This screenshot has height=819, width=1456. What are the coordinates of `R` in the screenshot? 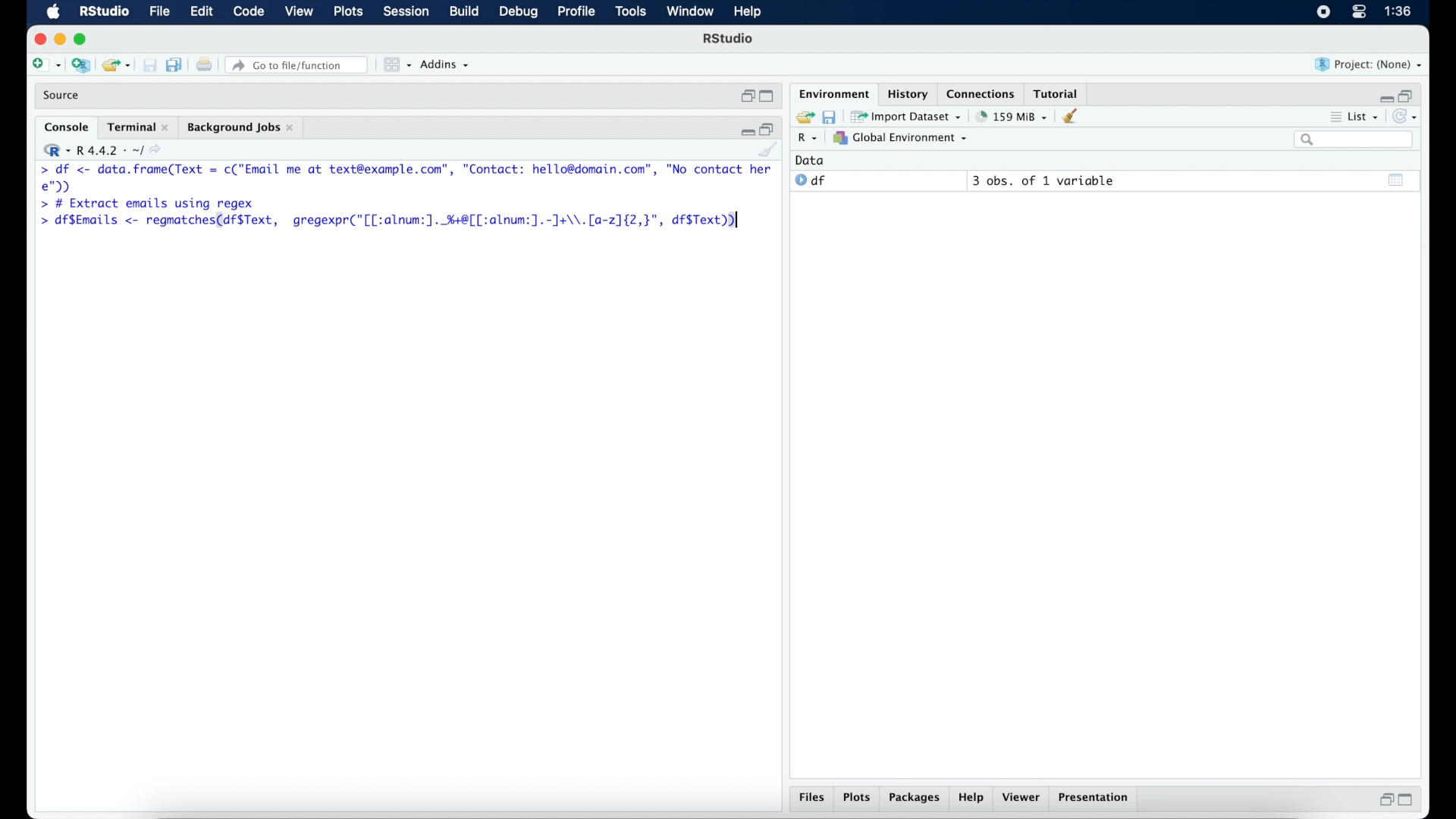 It's located at (806, 139).